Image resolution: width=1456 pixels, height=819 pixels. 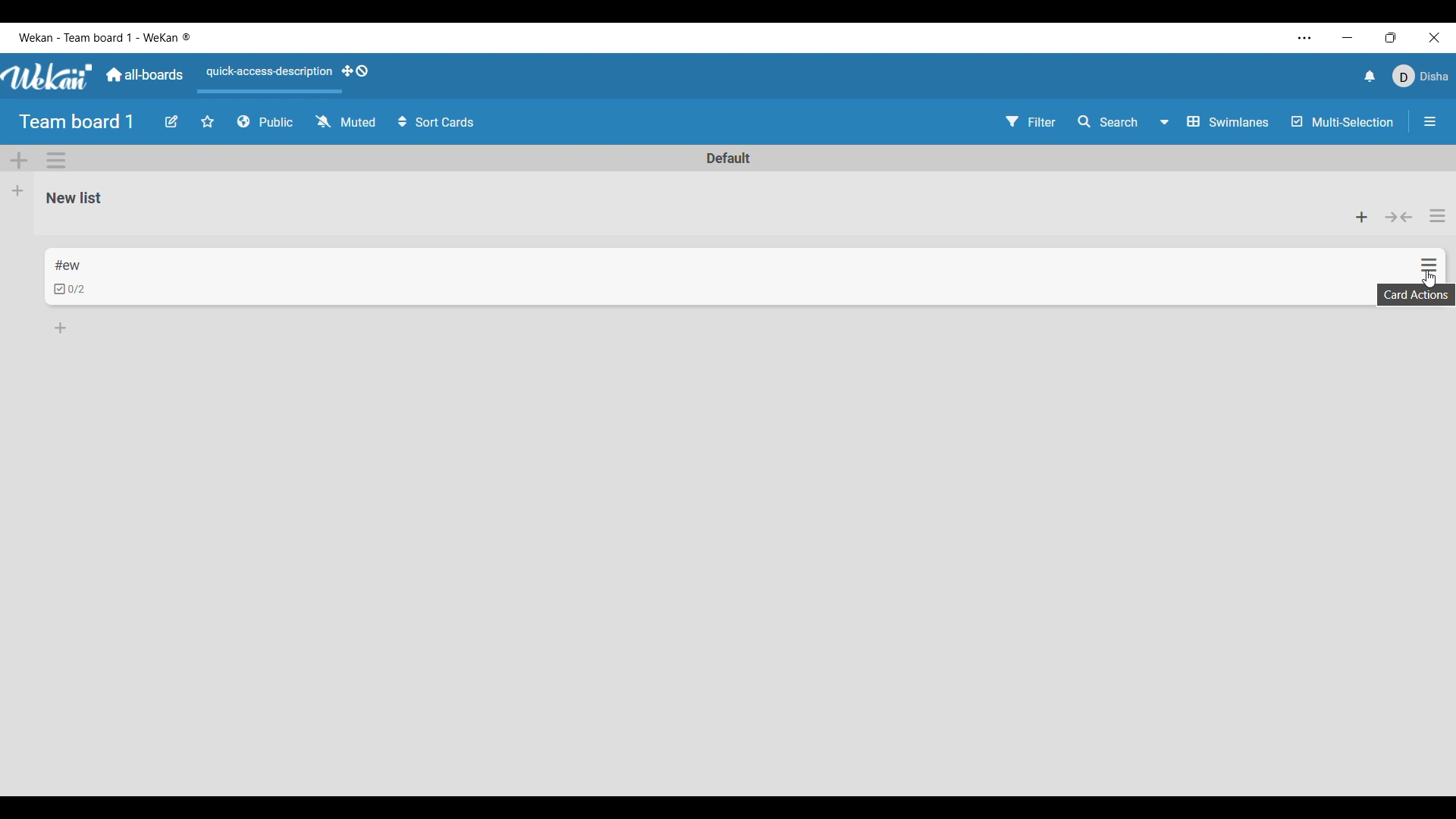 What do you see at coordinates (1429, 265) in the screenshot?
I see `Card actions` at bounding box center [1429, 265].